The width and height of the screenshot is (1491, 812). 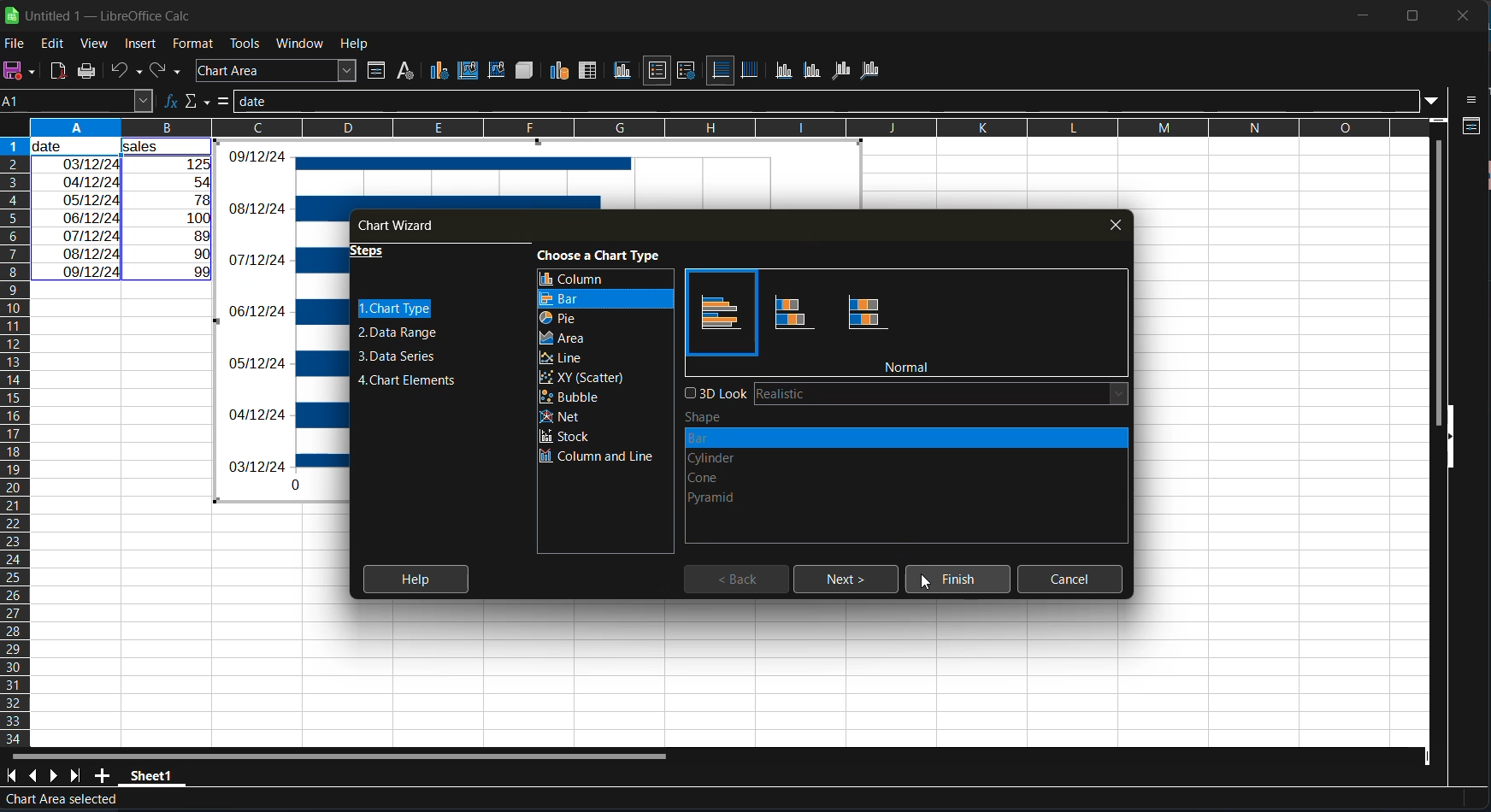 What do you see at coordinates (22, 71) in the screenshot?
I see `save` at bounding box center [22, 71].